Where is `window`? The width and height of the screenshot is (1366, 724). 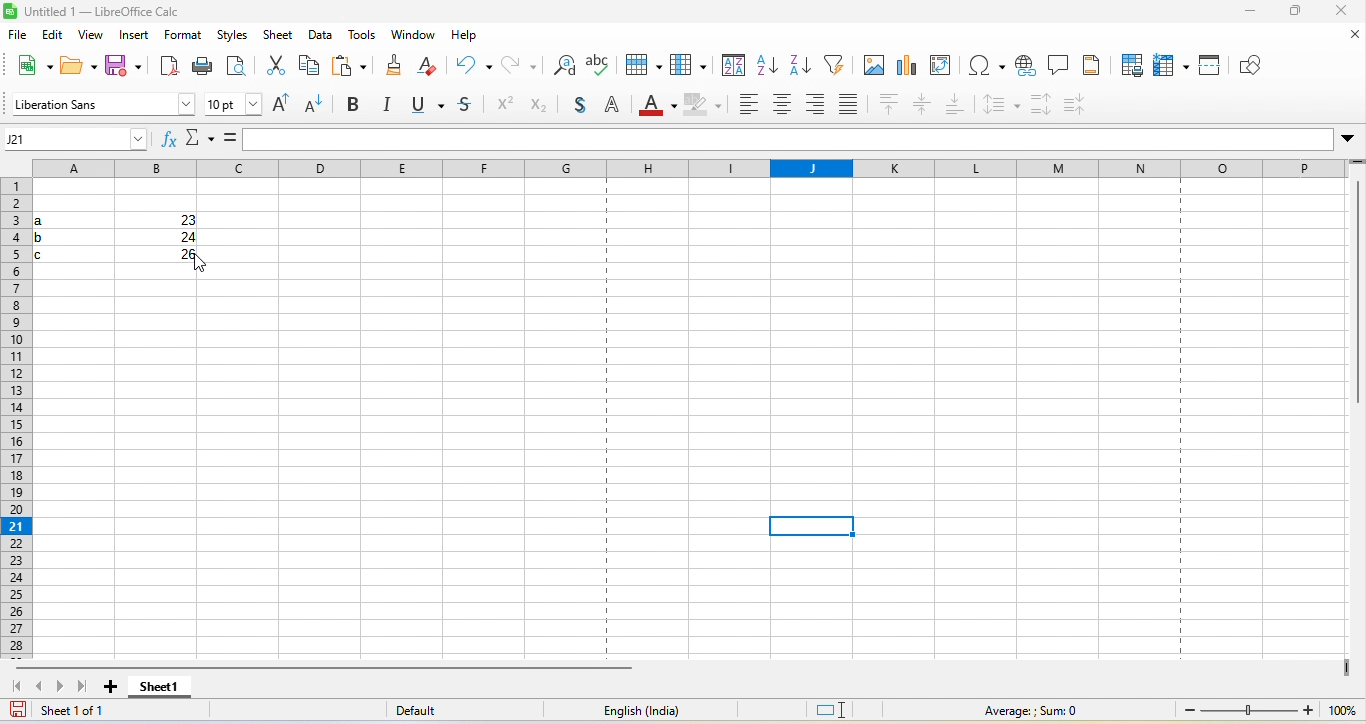
window is located at coordinates (410, 36).